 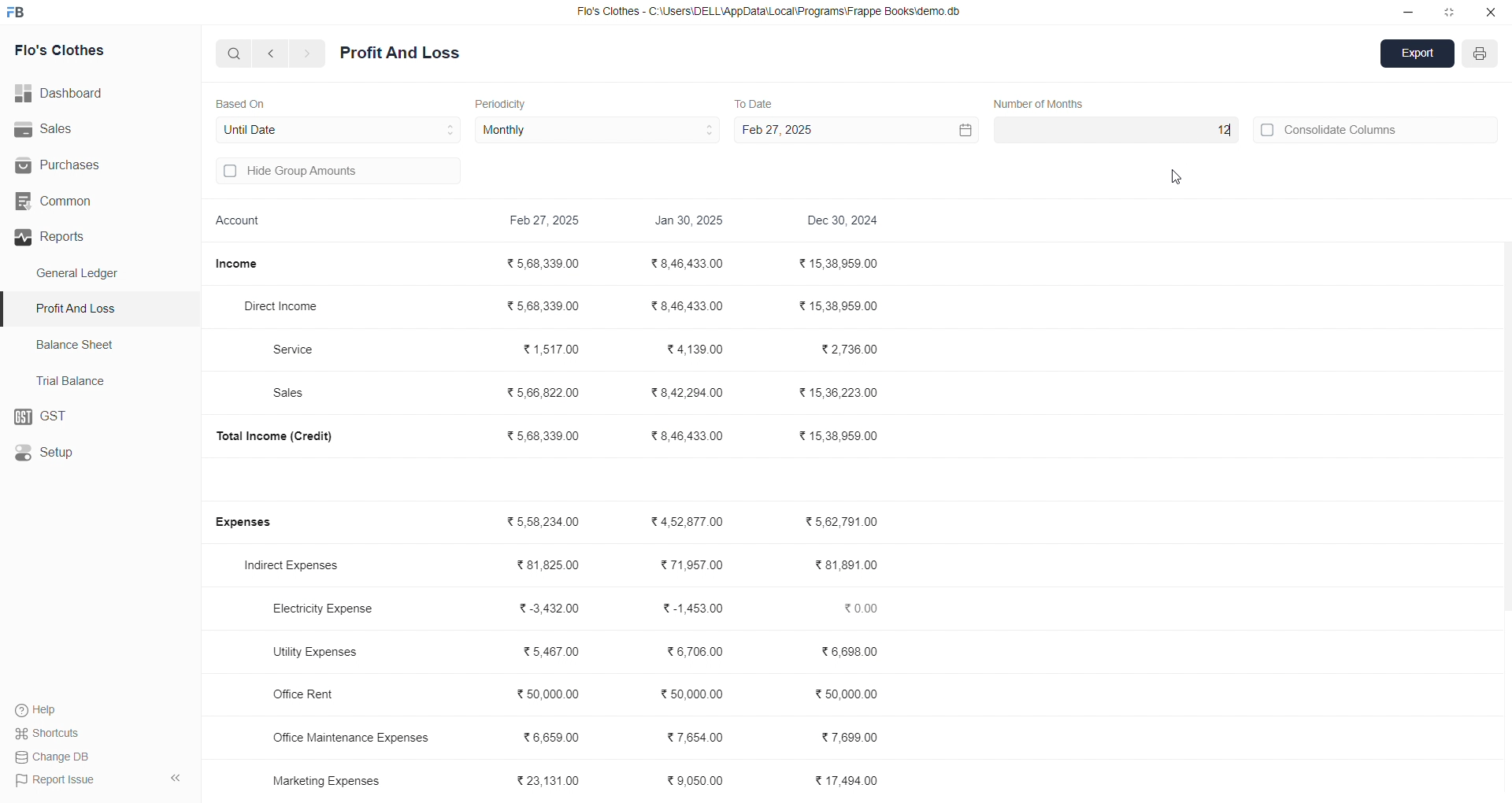 I want to click on Marketing Expenses, so click(x=326, y=780).